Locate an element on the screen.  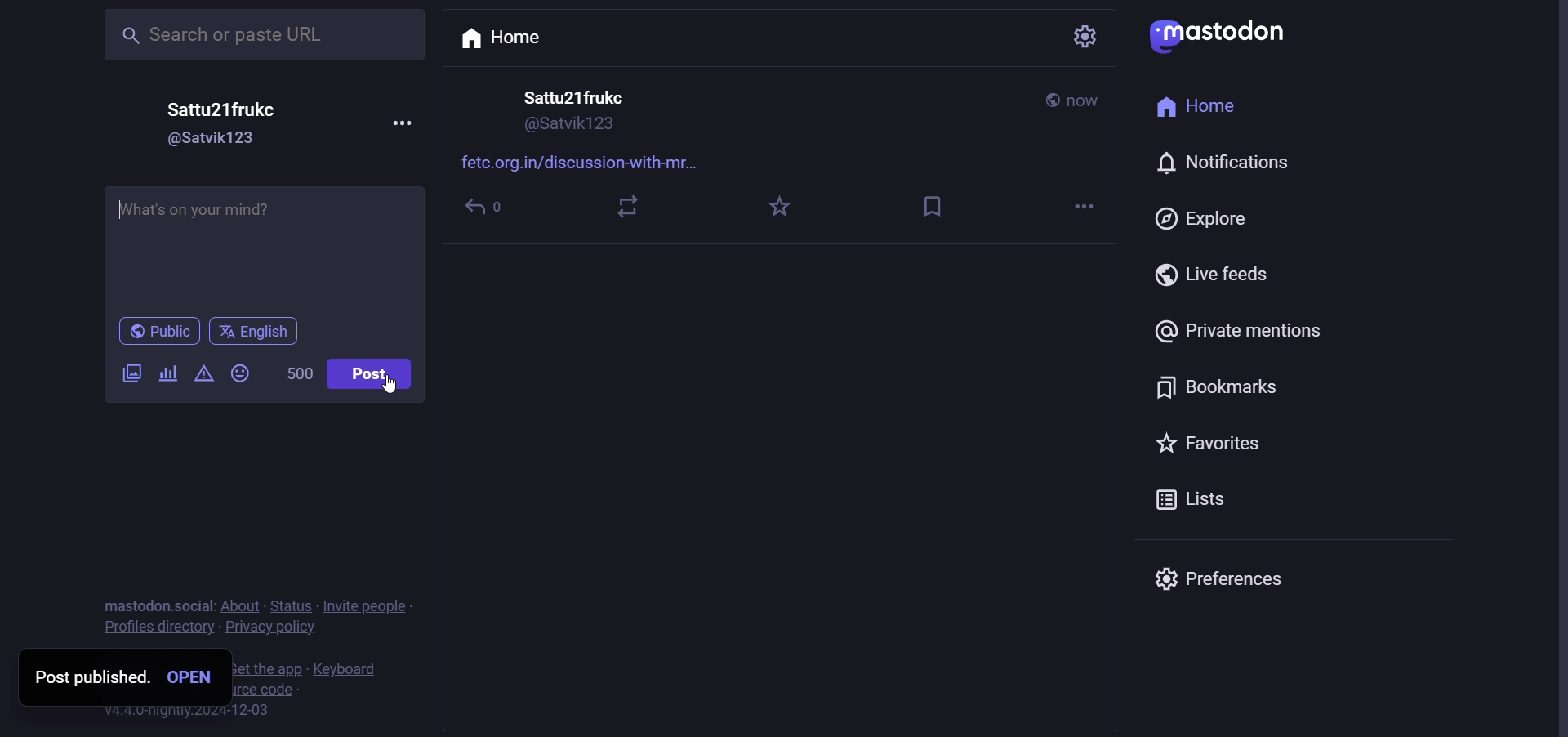
more is located at coordinates (407, 119).